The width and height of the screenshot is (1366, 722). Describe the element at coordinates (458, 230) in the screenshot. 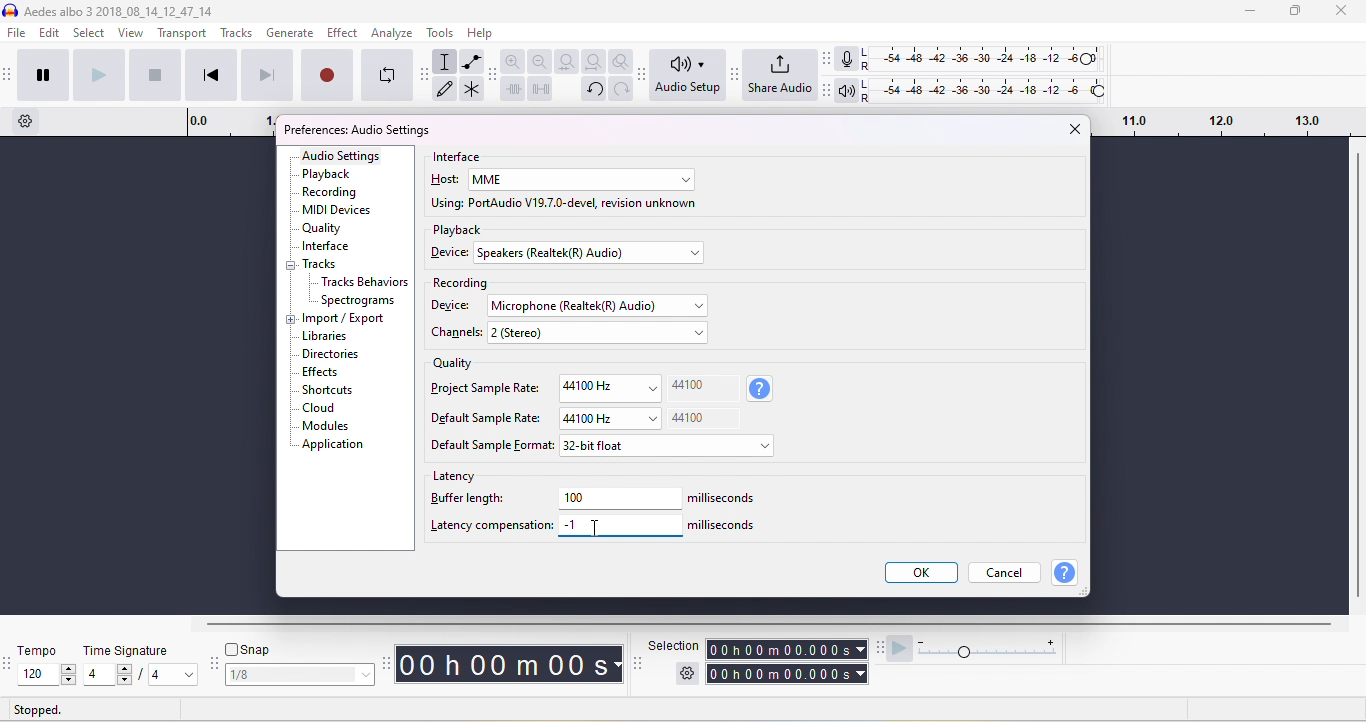

I see `playback` at that location.